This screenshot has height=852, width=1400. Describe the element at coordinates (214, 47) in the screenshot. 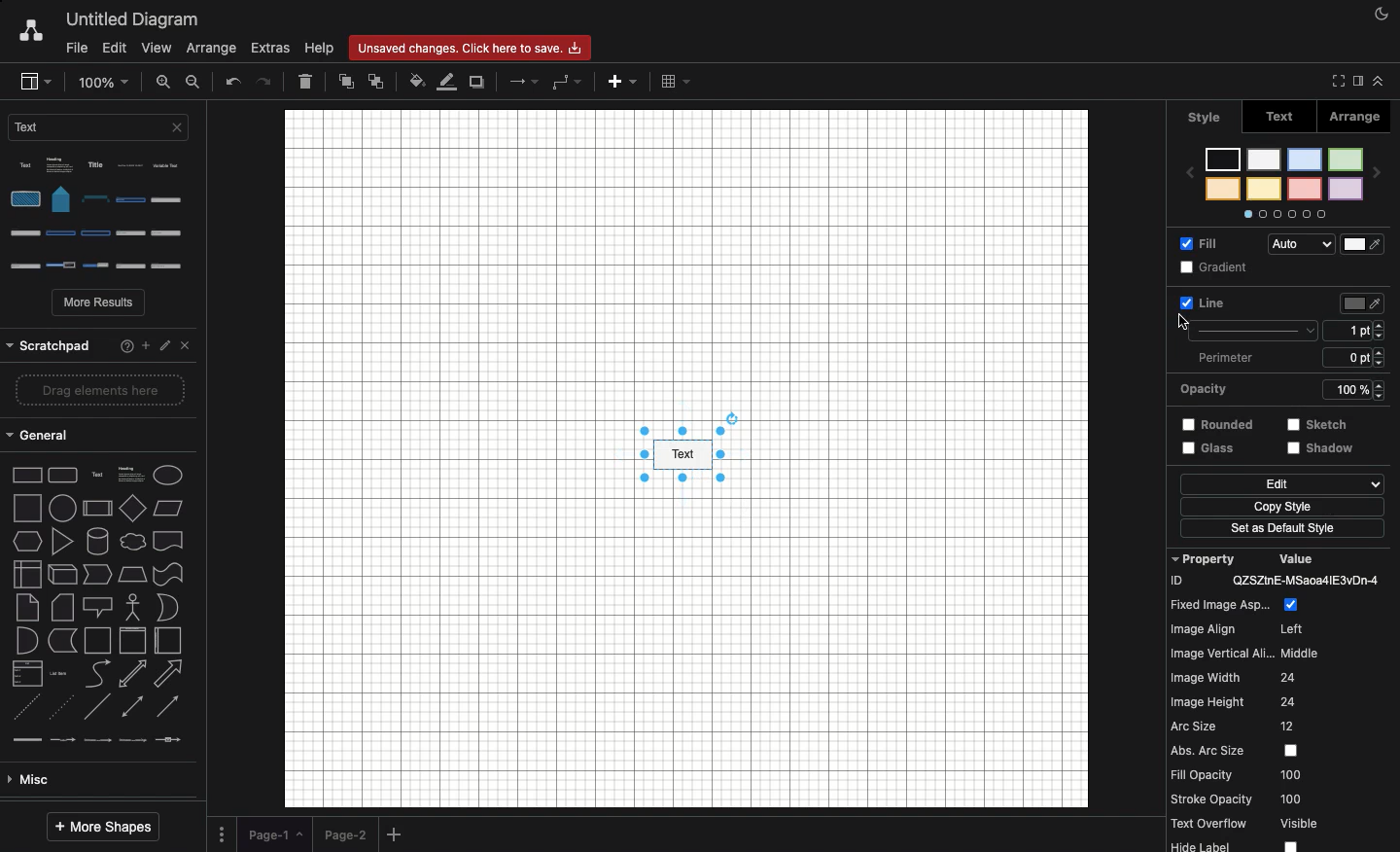

I see `Arrange` at that location.